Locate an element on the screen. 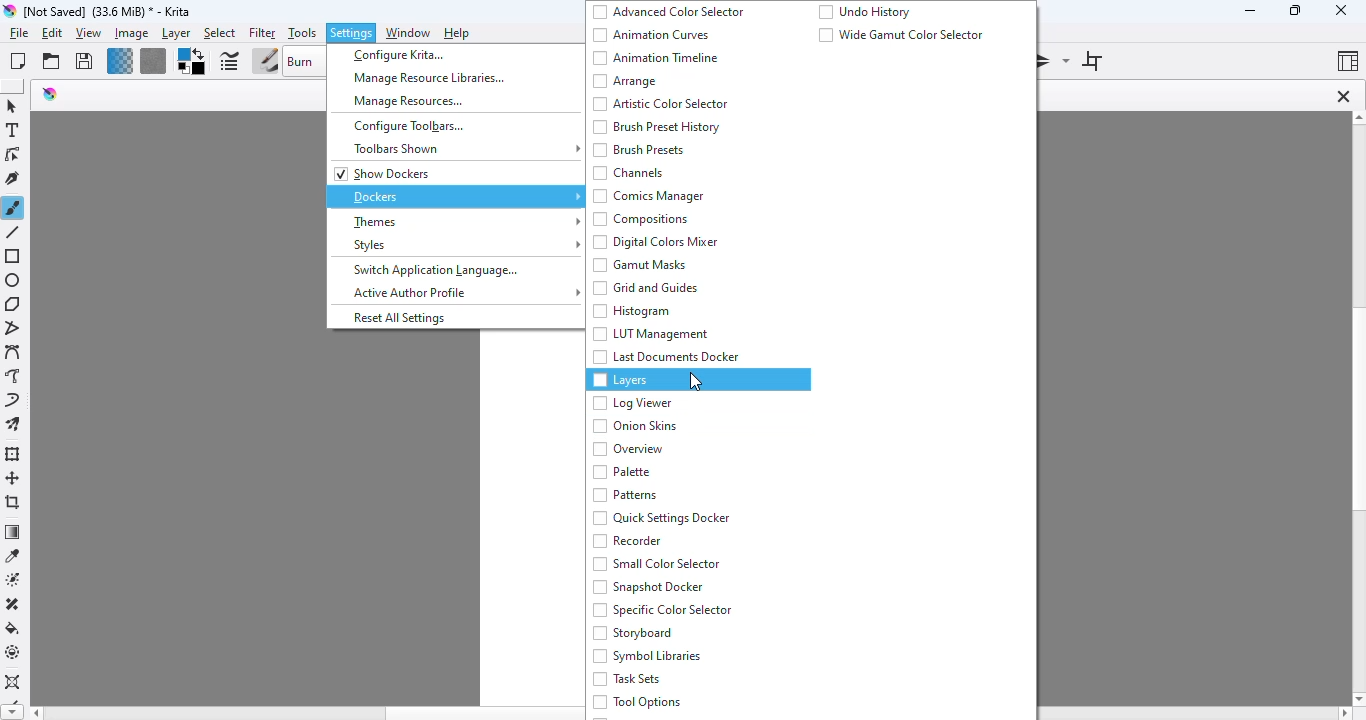  create new document is located at coordinates (17, 61).